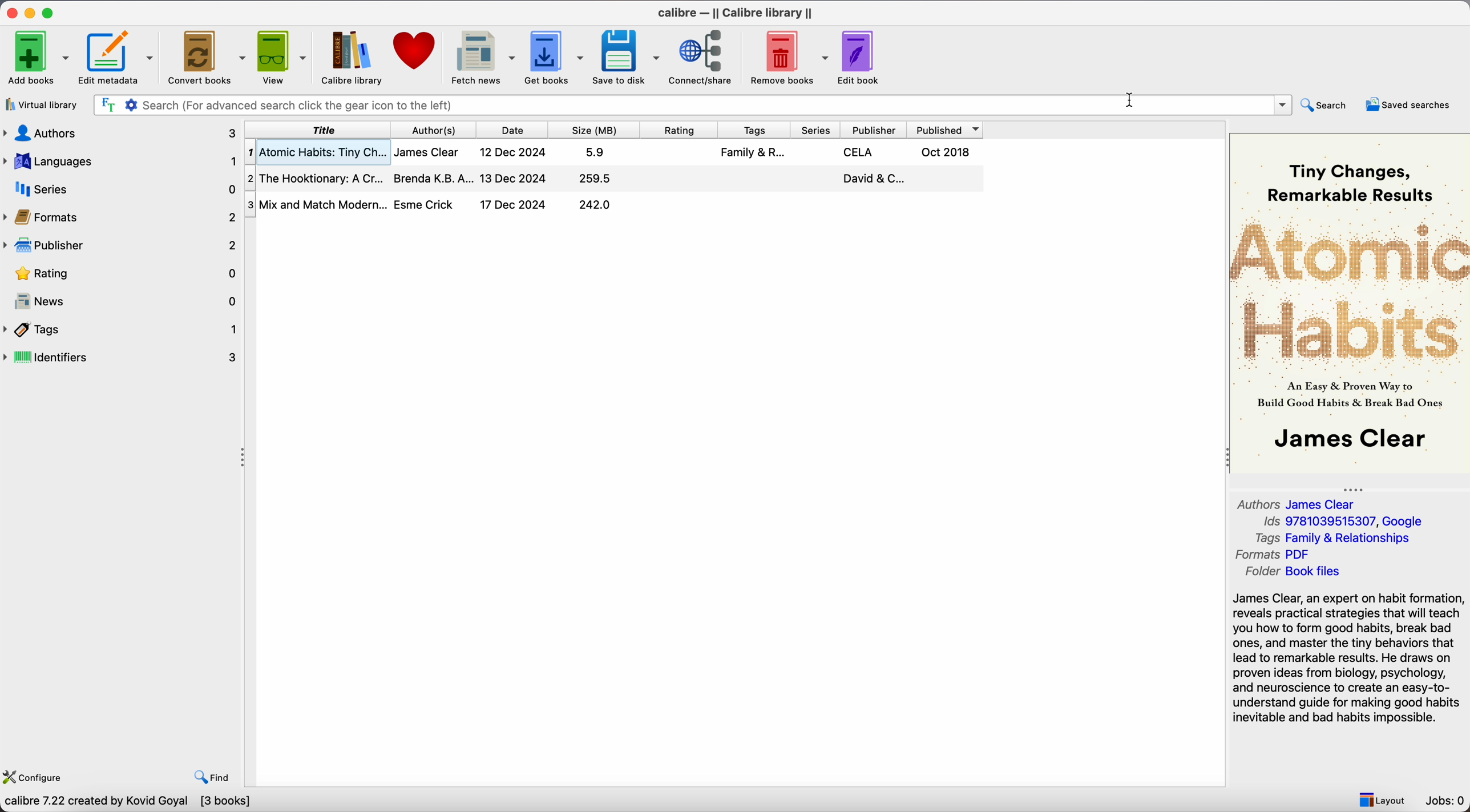 The height and width of the screenshot is (812, 1470). Describe the element at coordinates (315, 204) in the screenshot. I see `Mix and Mtach Modern...` at that location.